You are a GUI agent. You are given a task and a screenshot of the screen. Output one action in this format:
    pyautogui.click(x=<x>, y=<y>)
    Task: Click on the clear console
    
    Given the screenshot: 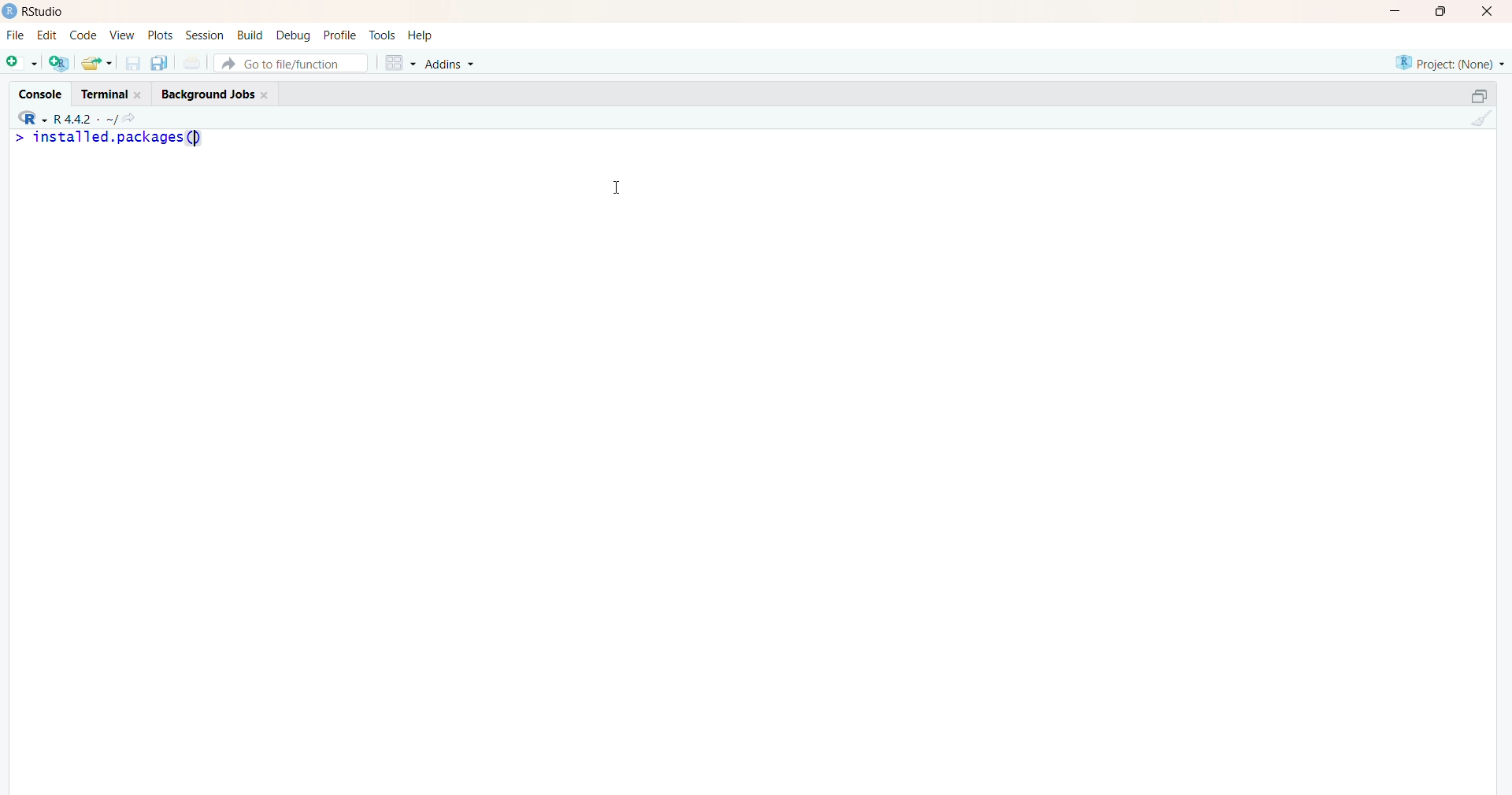 What is the action you would take?
    pyautogui.click(x=1480, y=120)
    